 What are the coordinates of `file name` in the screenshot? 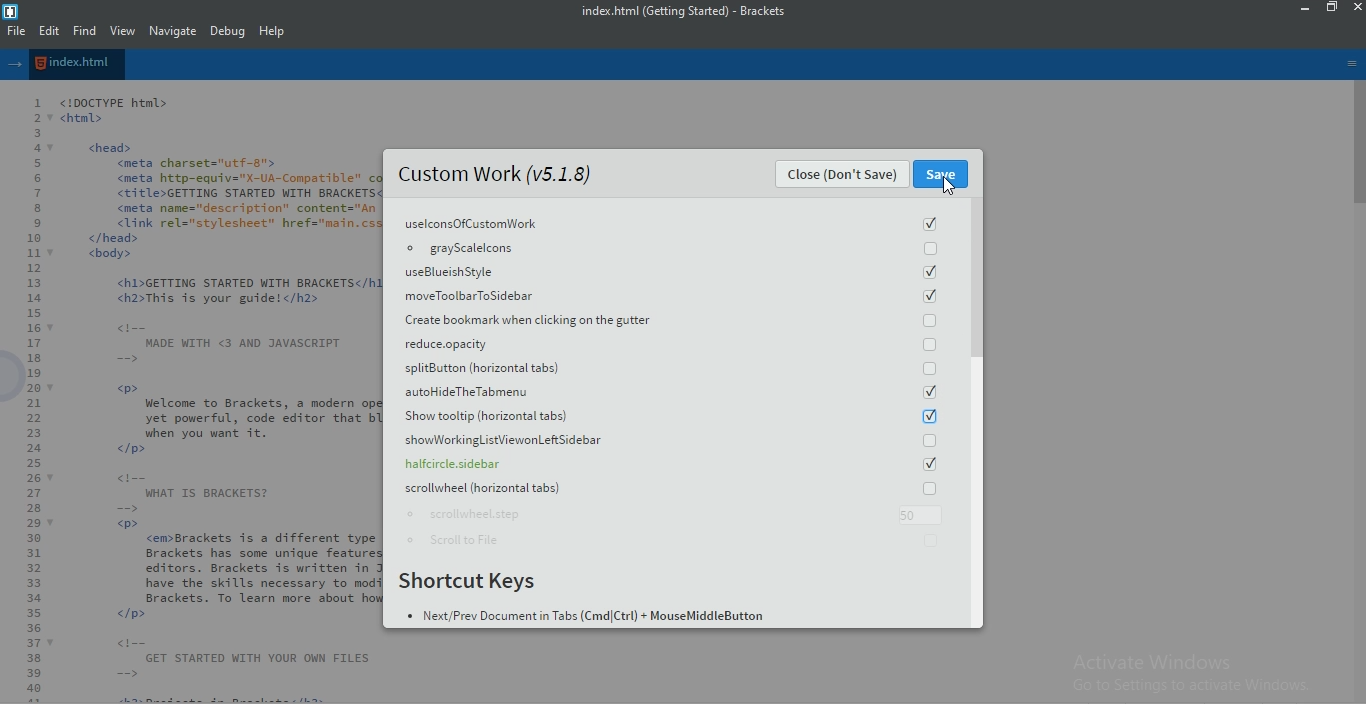 It's located at (77, 63).